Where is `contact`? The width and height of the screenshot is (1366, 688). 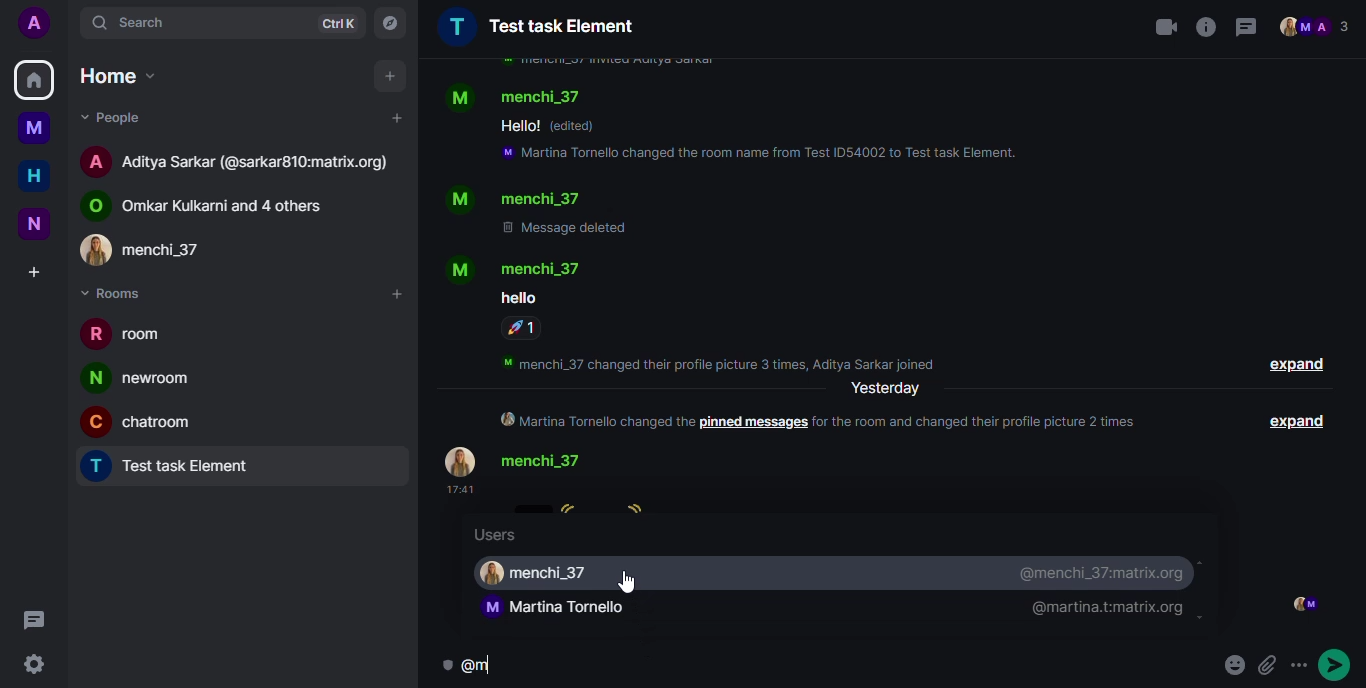
contact is located at coordinates (518, 96).